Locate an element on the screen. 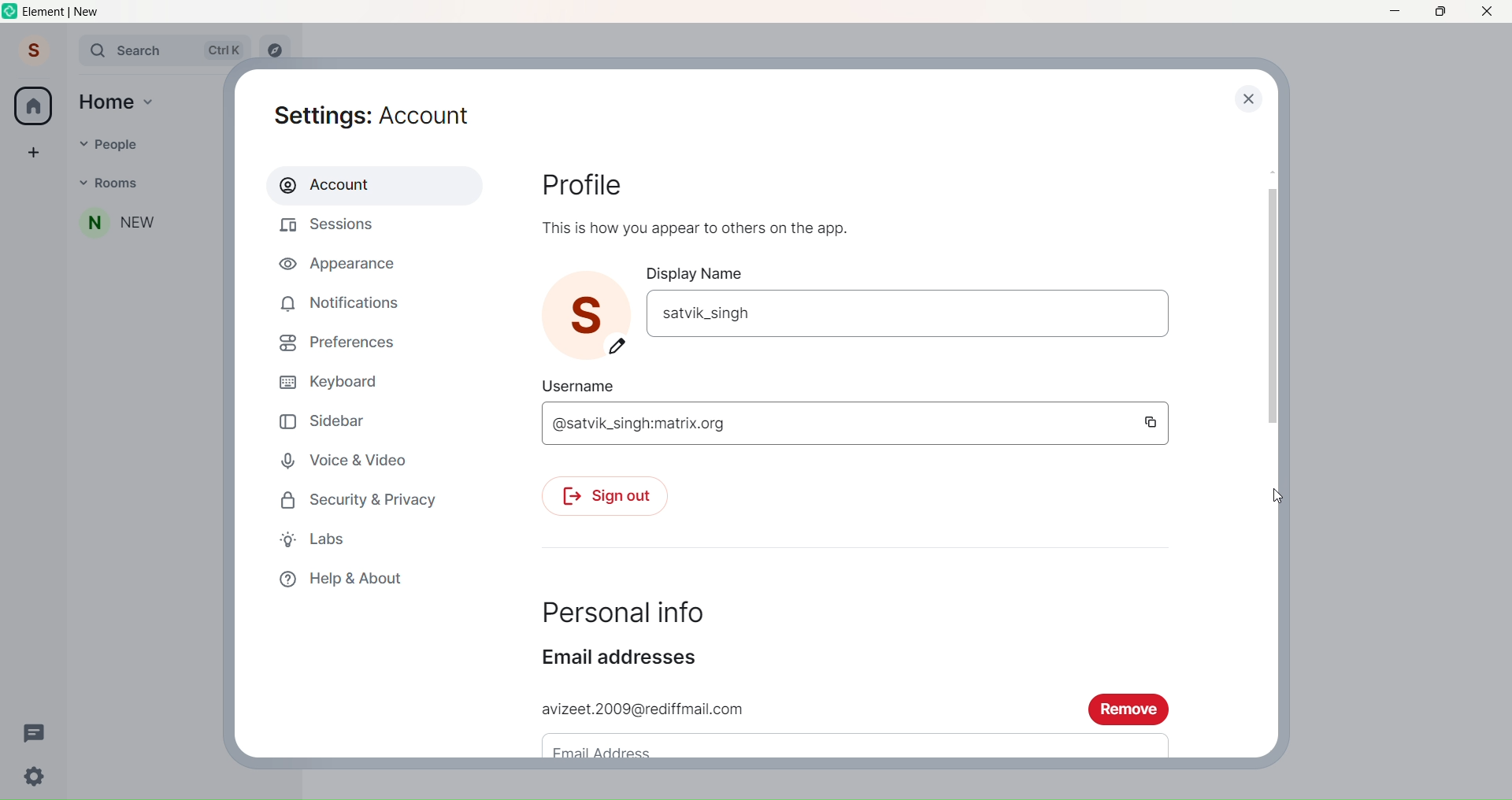 The height and width of the screenshot is (800, 1512). Close dialog box is located at coordinates (1247, 99).